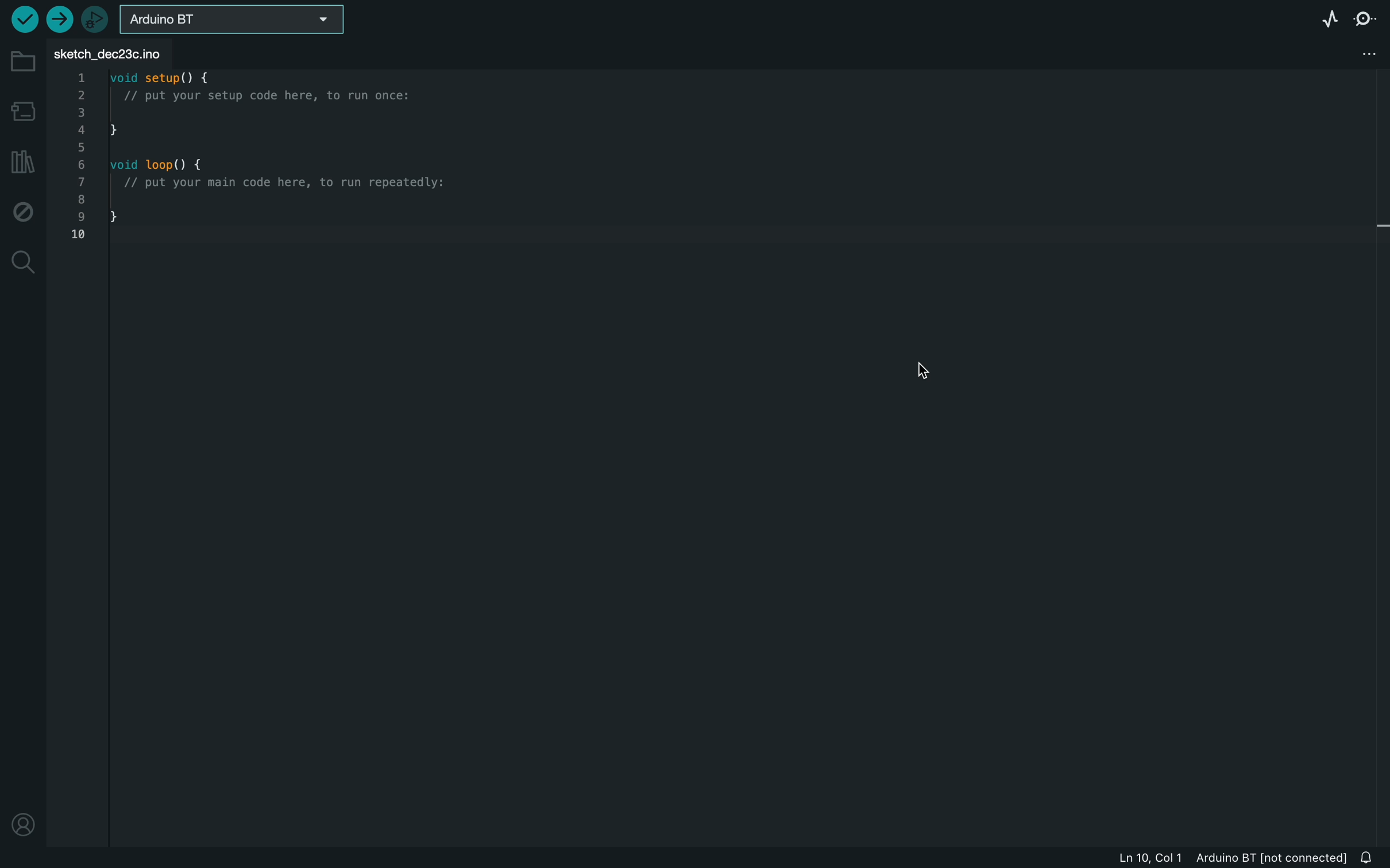 Image resolution: width=1390 pixels, height=868 pixels. I want to click on board manager, so click(22, 108).